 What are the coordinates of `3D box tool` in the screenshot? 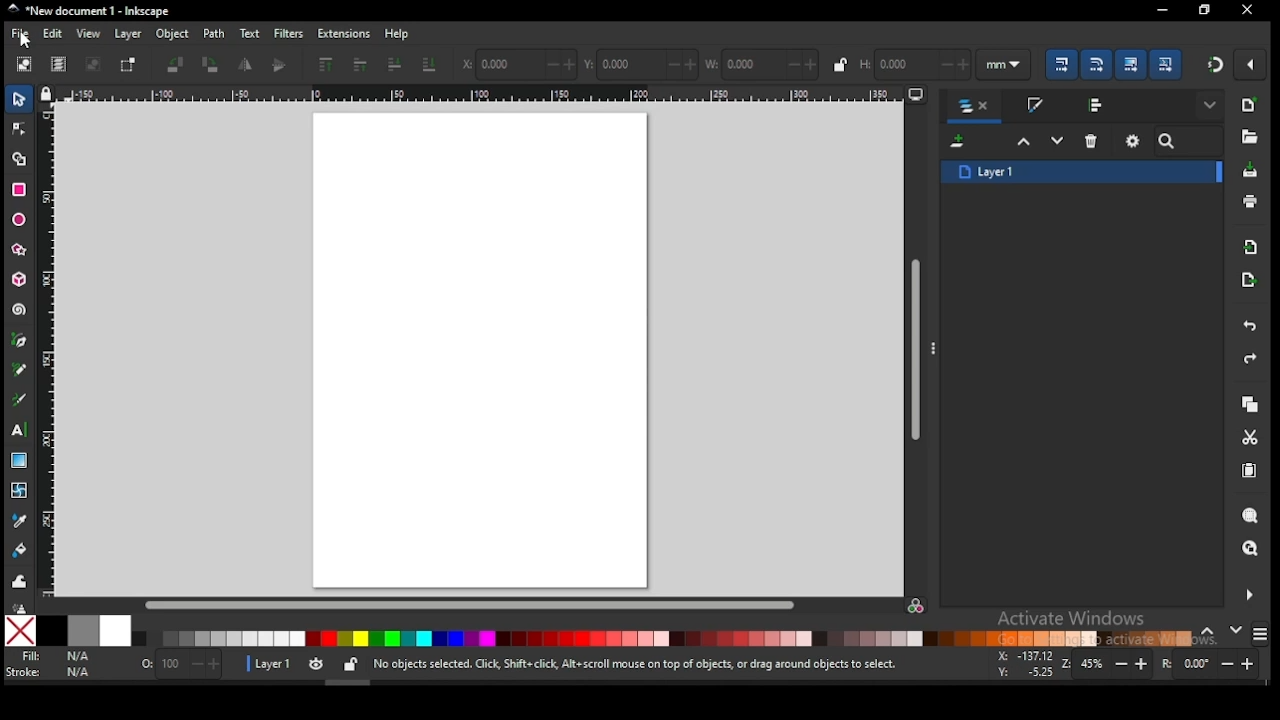 It's located at (21, 279).